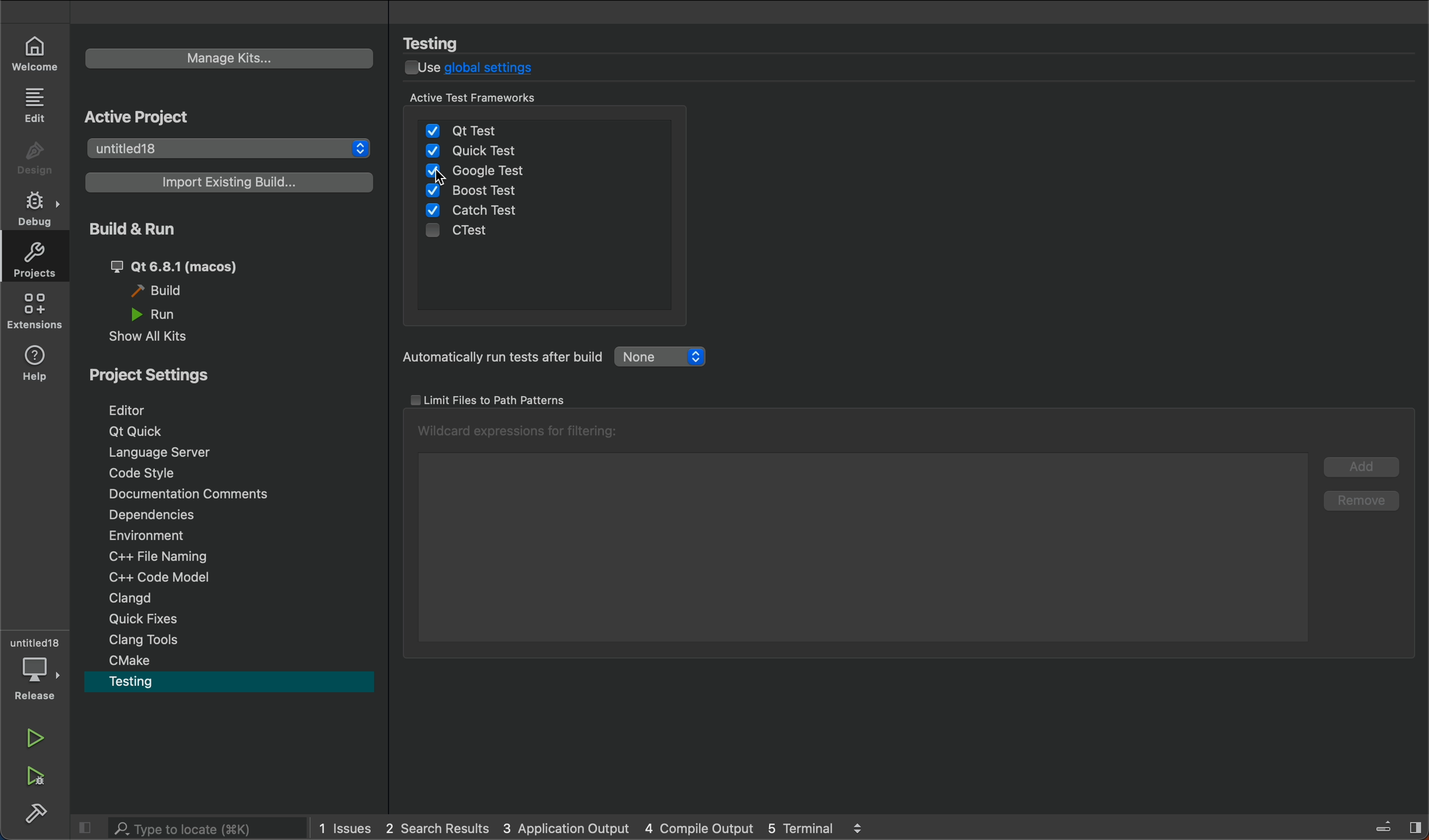 Image resolution: width=1429 pixels, height=840 pixels. What do you see at coordinates (186, 828) in the screenshot?
I see `search` at bounding box center [186, 828].